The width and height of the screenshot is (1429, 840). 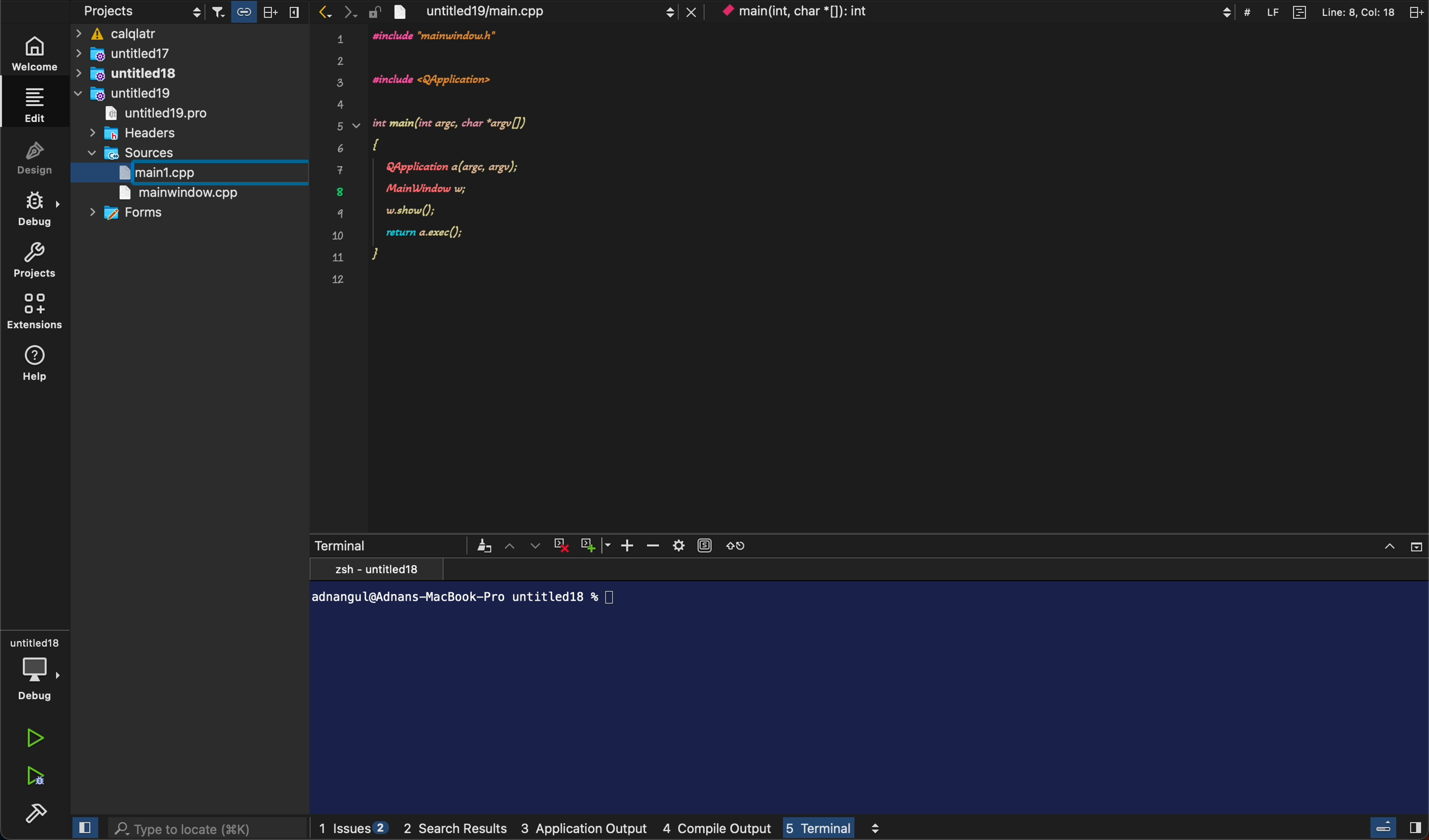 I want to click on code, so click(x=468, y=159).